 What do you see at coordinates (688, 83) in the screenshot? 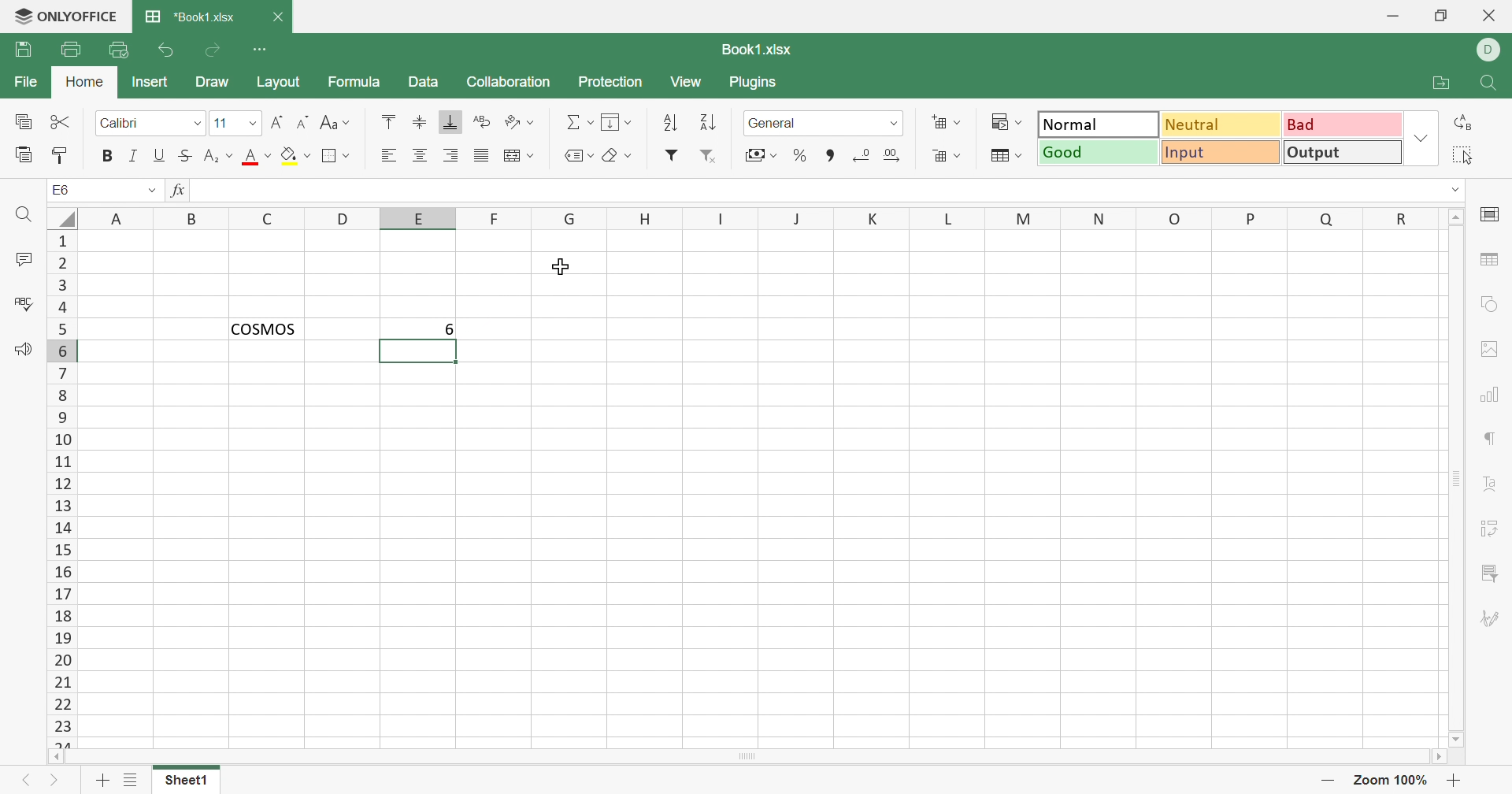
I see `View` at bounding box center [688, 83].